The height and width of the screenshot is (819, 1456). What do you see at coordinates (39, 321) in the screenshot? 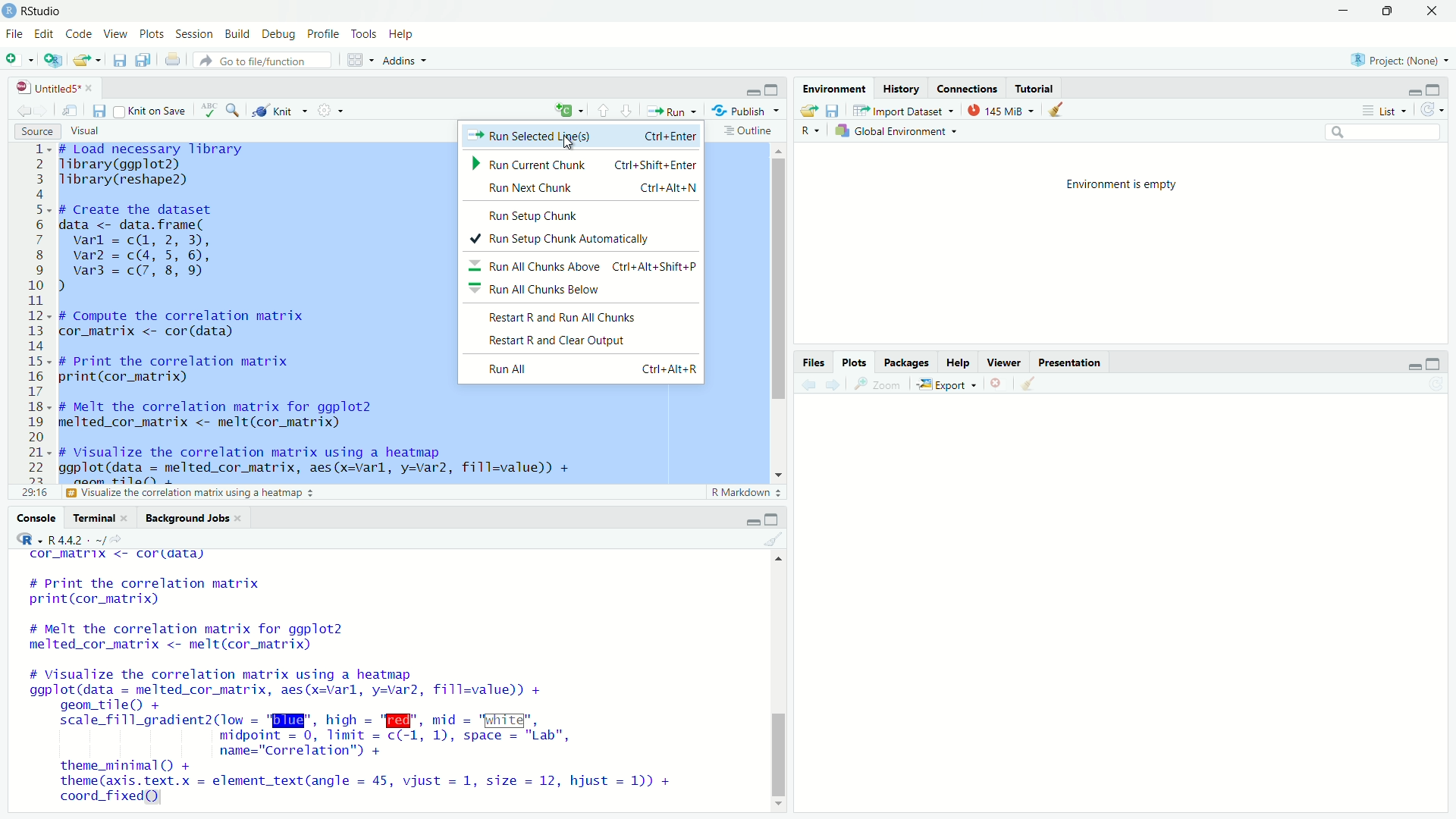
I see `lines` at bounding box center [39, 321].